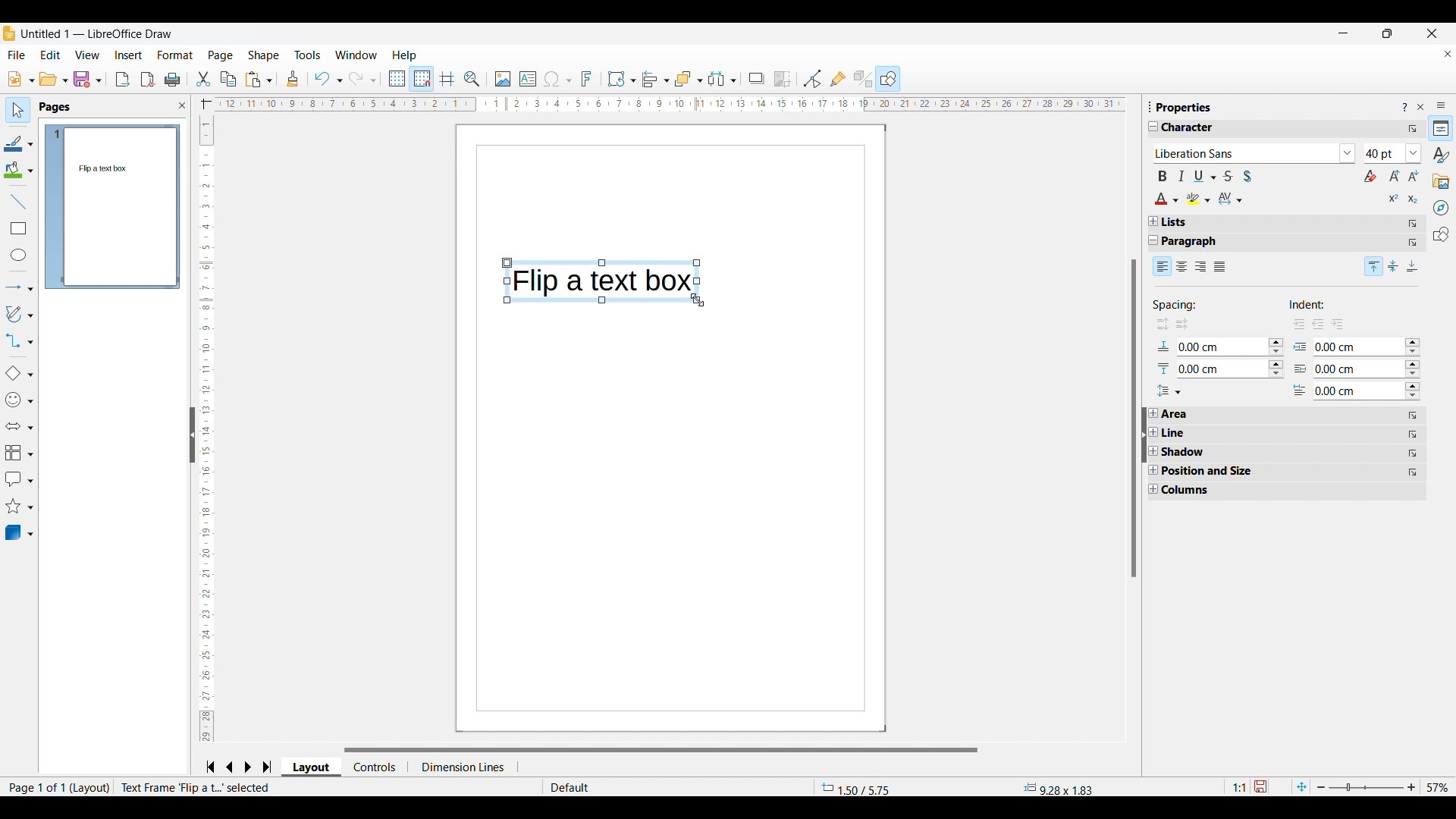 This screenshot has height=819, width=1456. What do you see at coordinates (528, 79) in the screenshot?
I see `Insert text box` at bounding box center [528, 79].